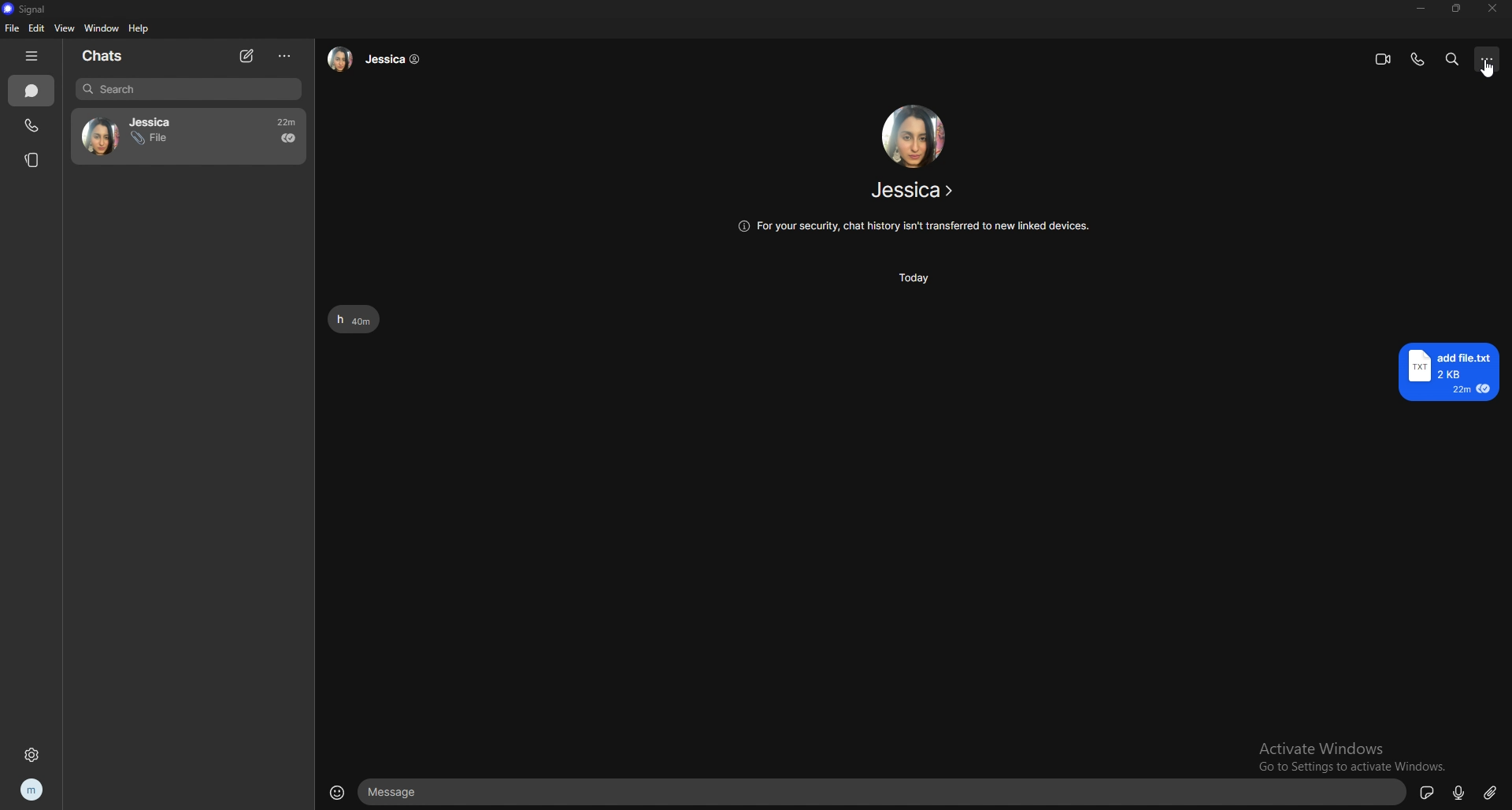 The image size is (1512, 810). Describe the element at coordinates (915, 225) in the screenshot. I see `(@ For your security, chat history isn't transferred to new linked devices.` at that location.